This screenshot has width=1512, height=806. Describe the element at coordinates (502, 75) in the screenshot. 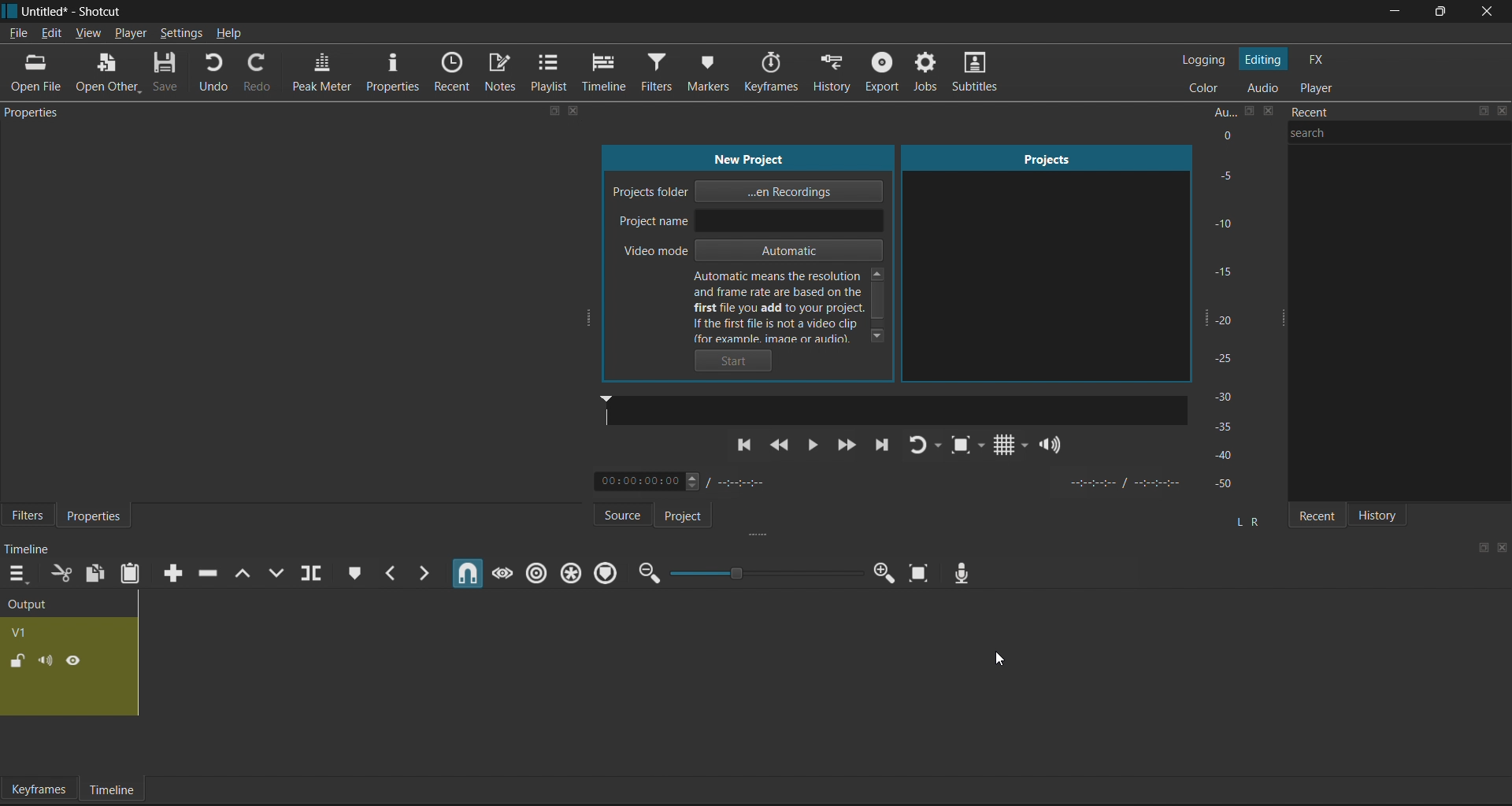

I see `Notes` at that location.